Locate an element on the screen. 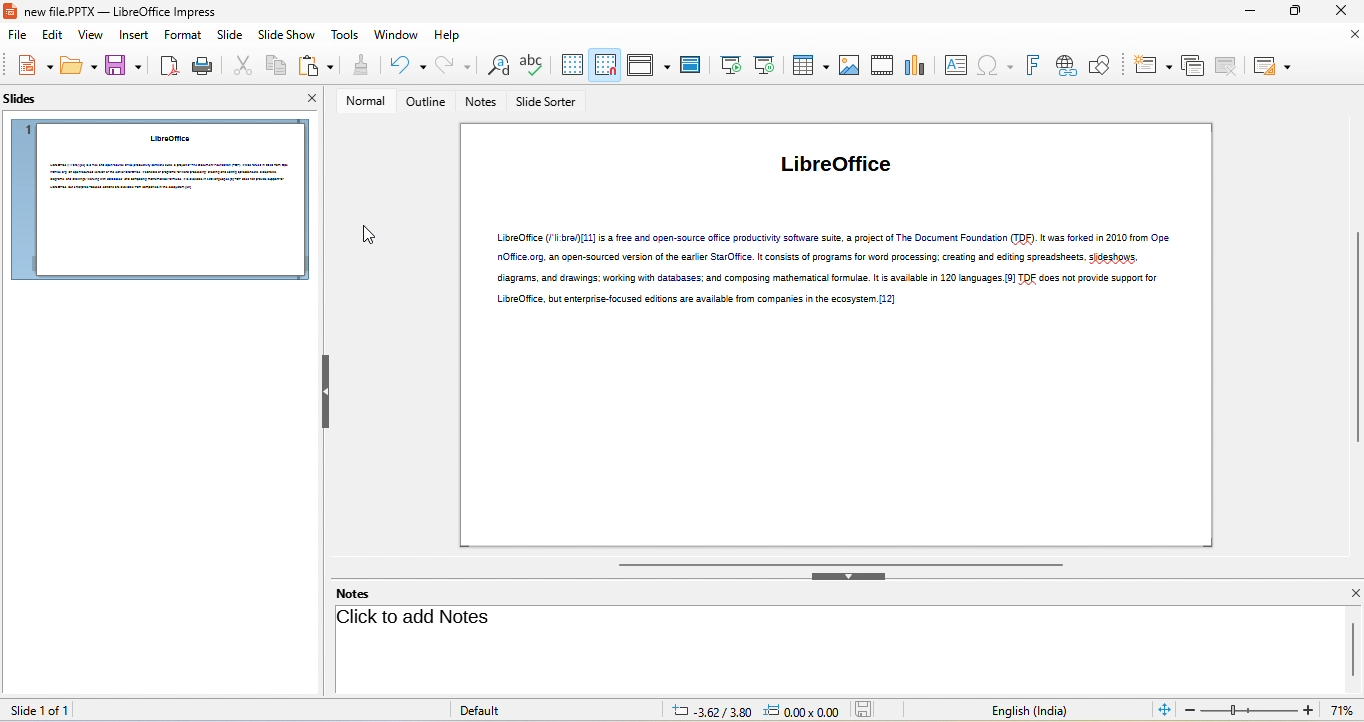 The width and height of the screenshot is (1364, 722). delete slide is located at coordinates (1230, 66).